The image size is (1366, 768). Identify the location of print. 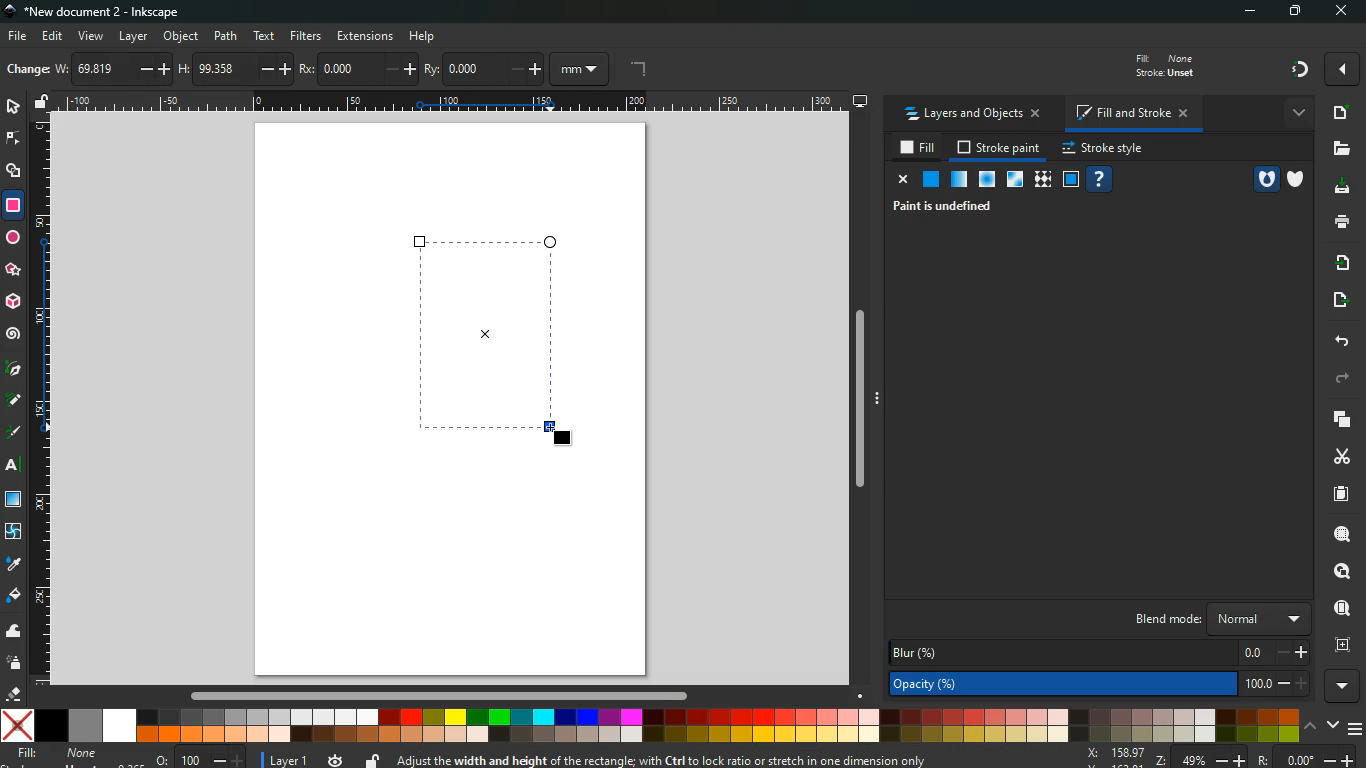
(1337, 223).